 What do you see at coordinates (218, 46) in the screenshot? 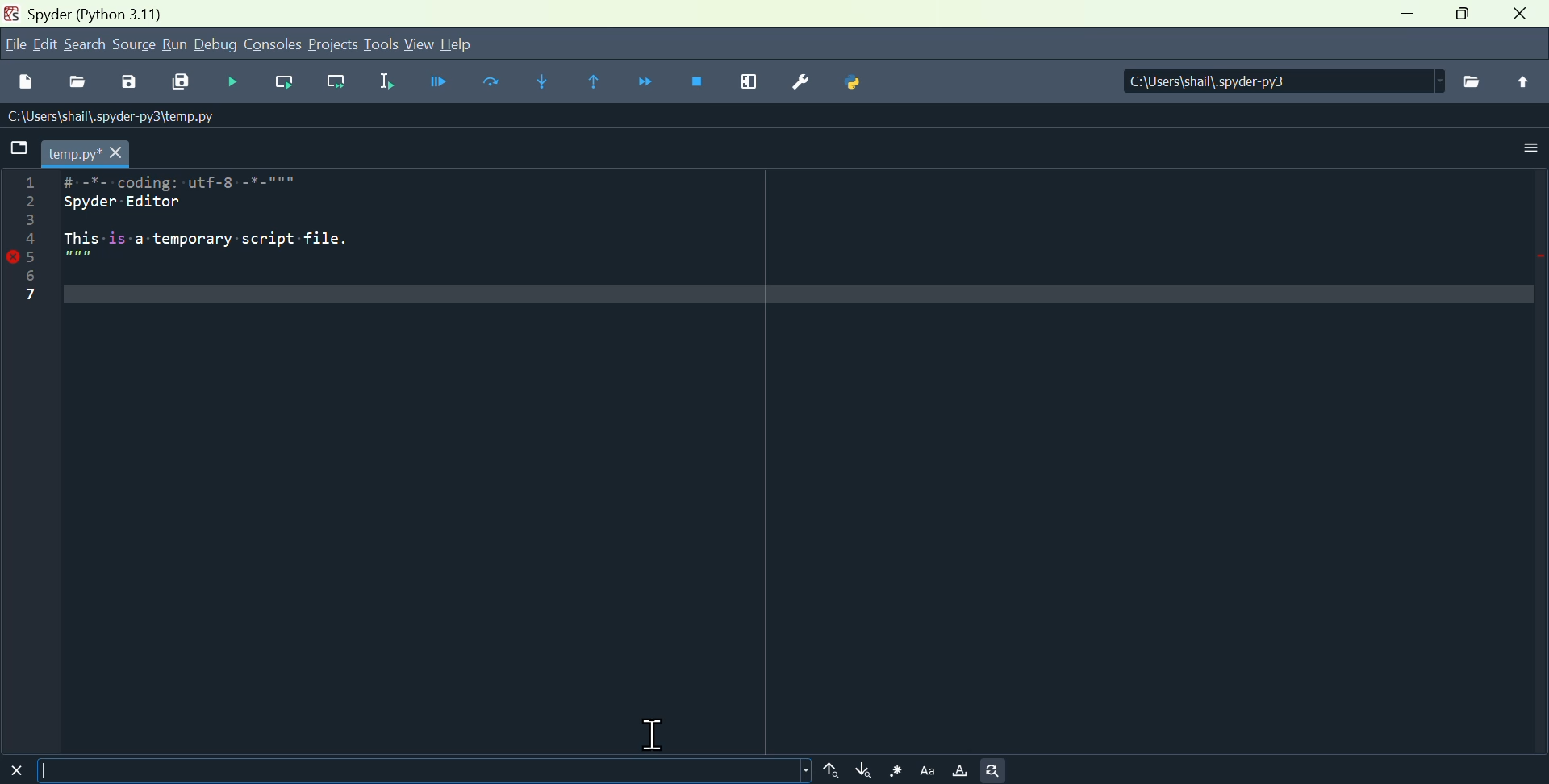
I see `Debug` at bounding box center [218, 46].